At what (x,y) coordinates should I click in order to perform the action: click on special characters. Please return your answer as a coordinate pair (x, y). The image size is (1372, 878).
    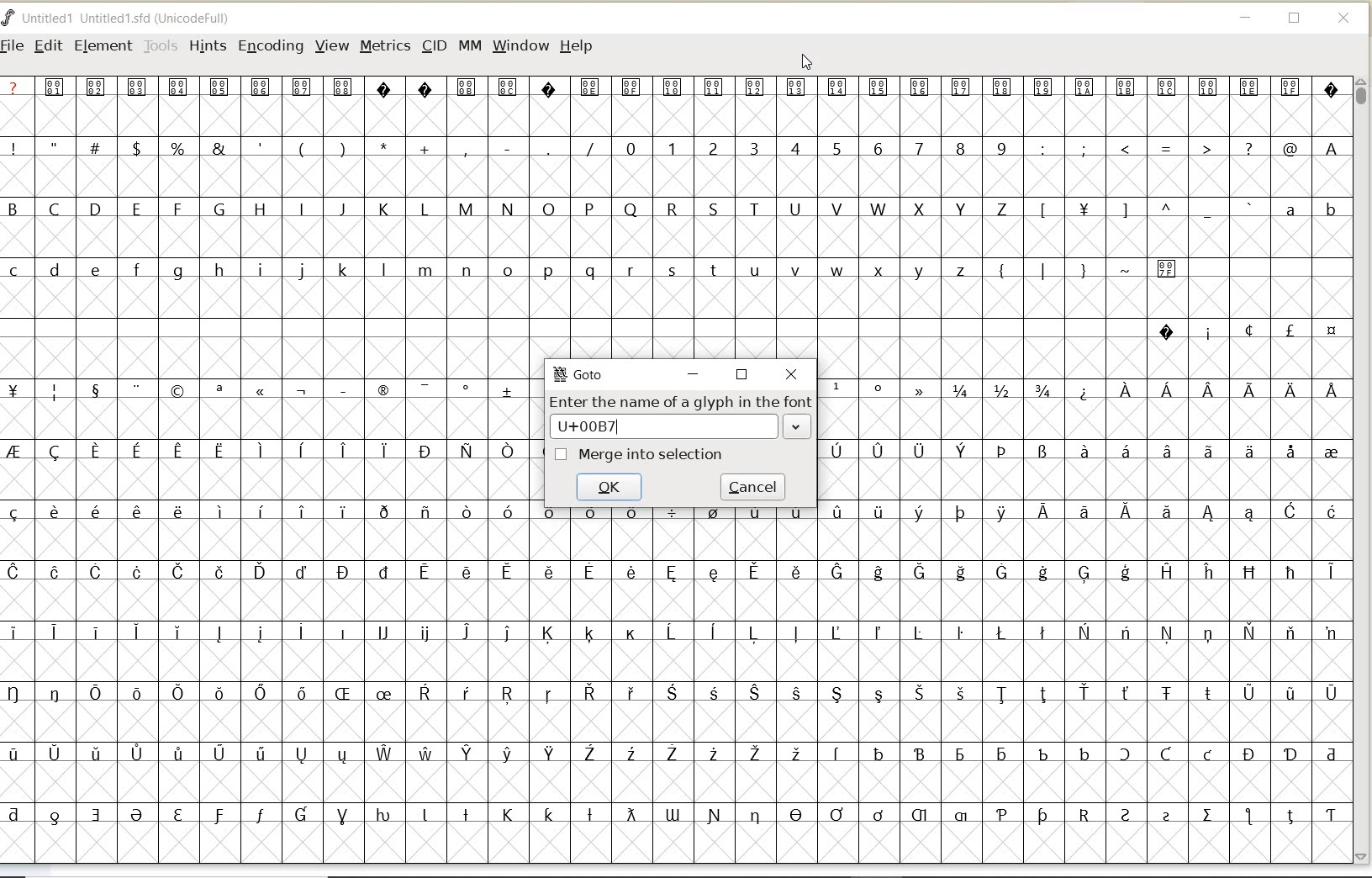
    Looking at the image, I should click on (1247, 331).